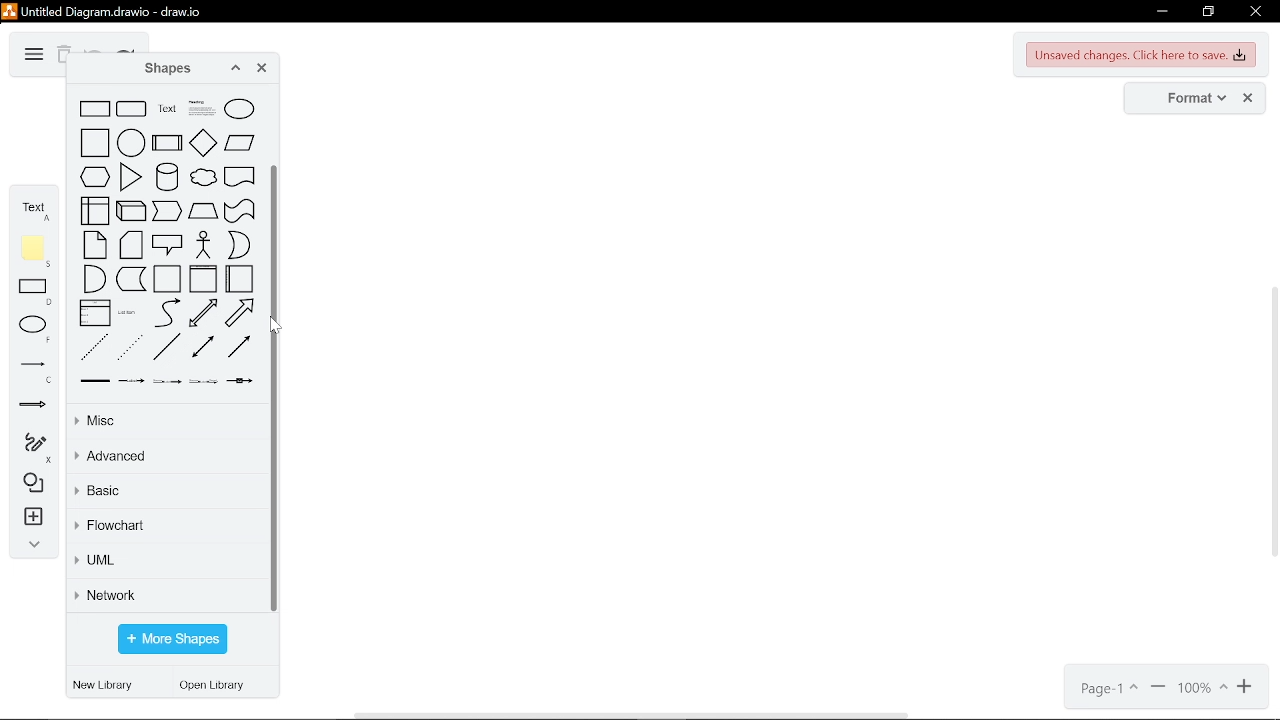  What do you see at coordinates (240, 381) in the screenshot?
I see `connector with symbol` at bounding box center [240, 381].